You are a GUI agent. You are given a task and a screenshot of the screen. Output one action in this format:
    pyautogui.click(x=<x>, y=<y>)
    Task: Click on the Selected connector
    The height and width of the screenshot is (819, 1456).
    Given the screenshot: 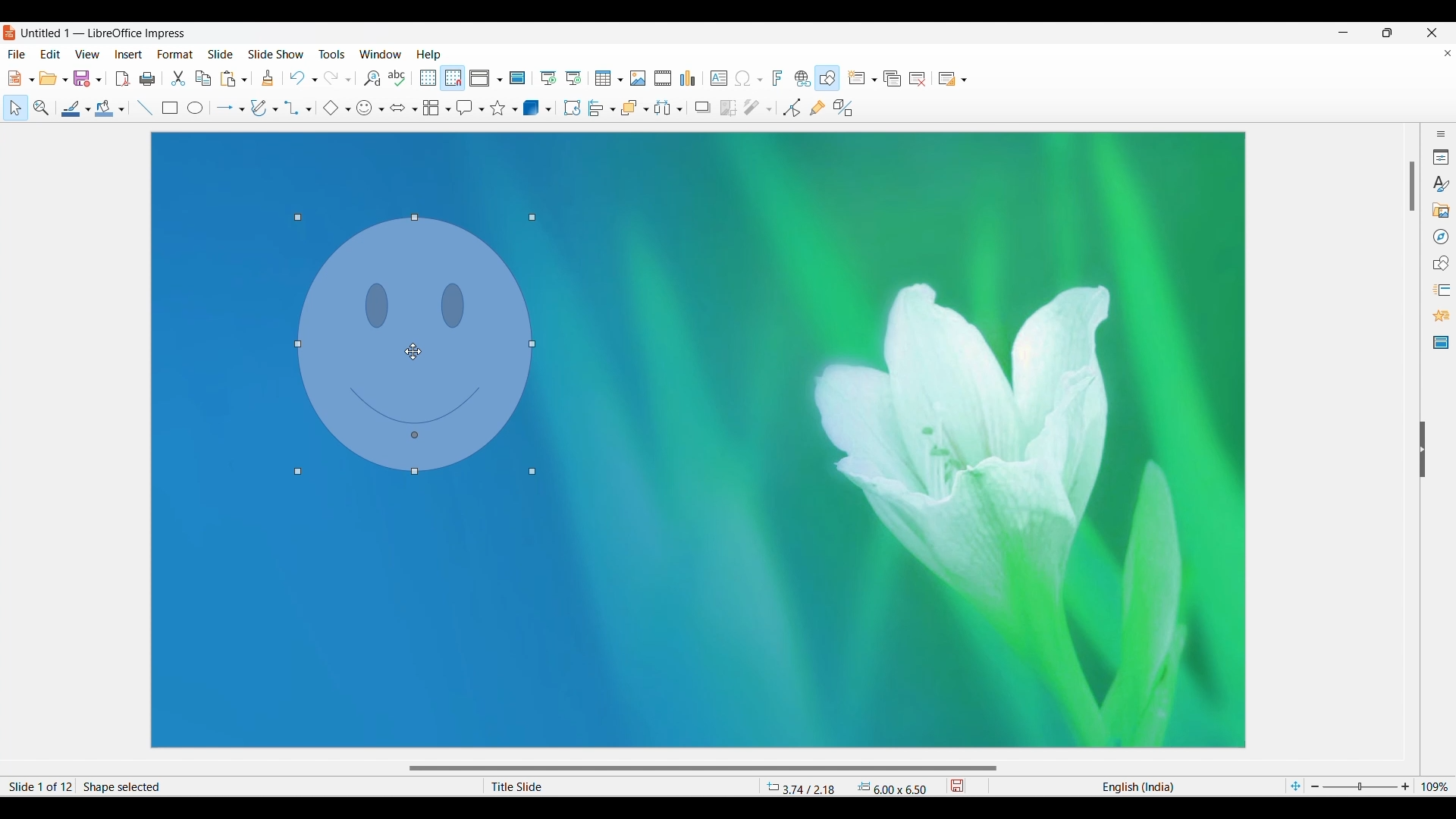 What is the action you would take?
    pyautogui.click(x=293, y=108)
    